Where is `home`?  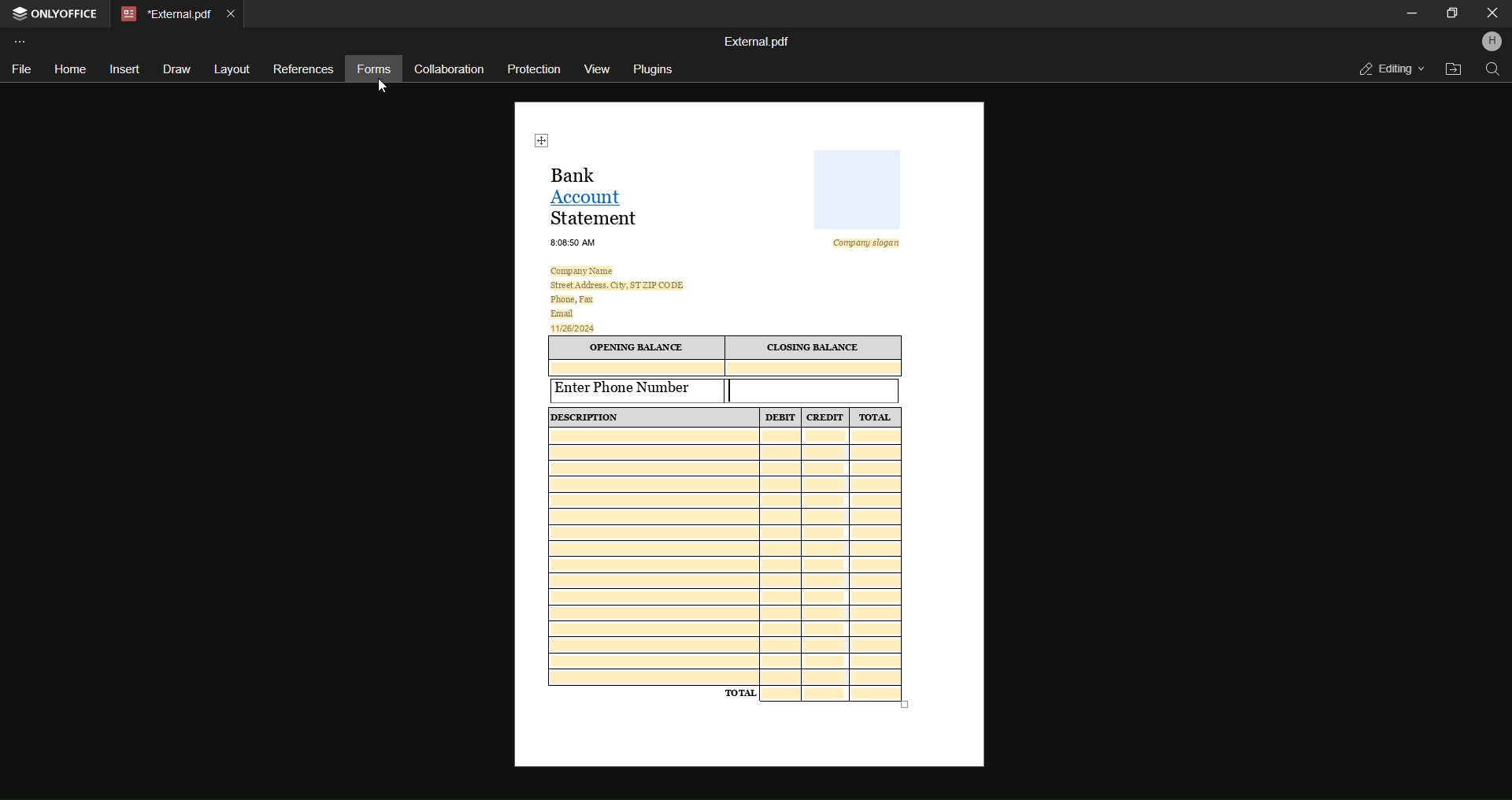 home is located at coordinates (69, 67).